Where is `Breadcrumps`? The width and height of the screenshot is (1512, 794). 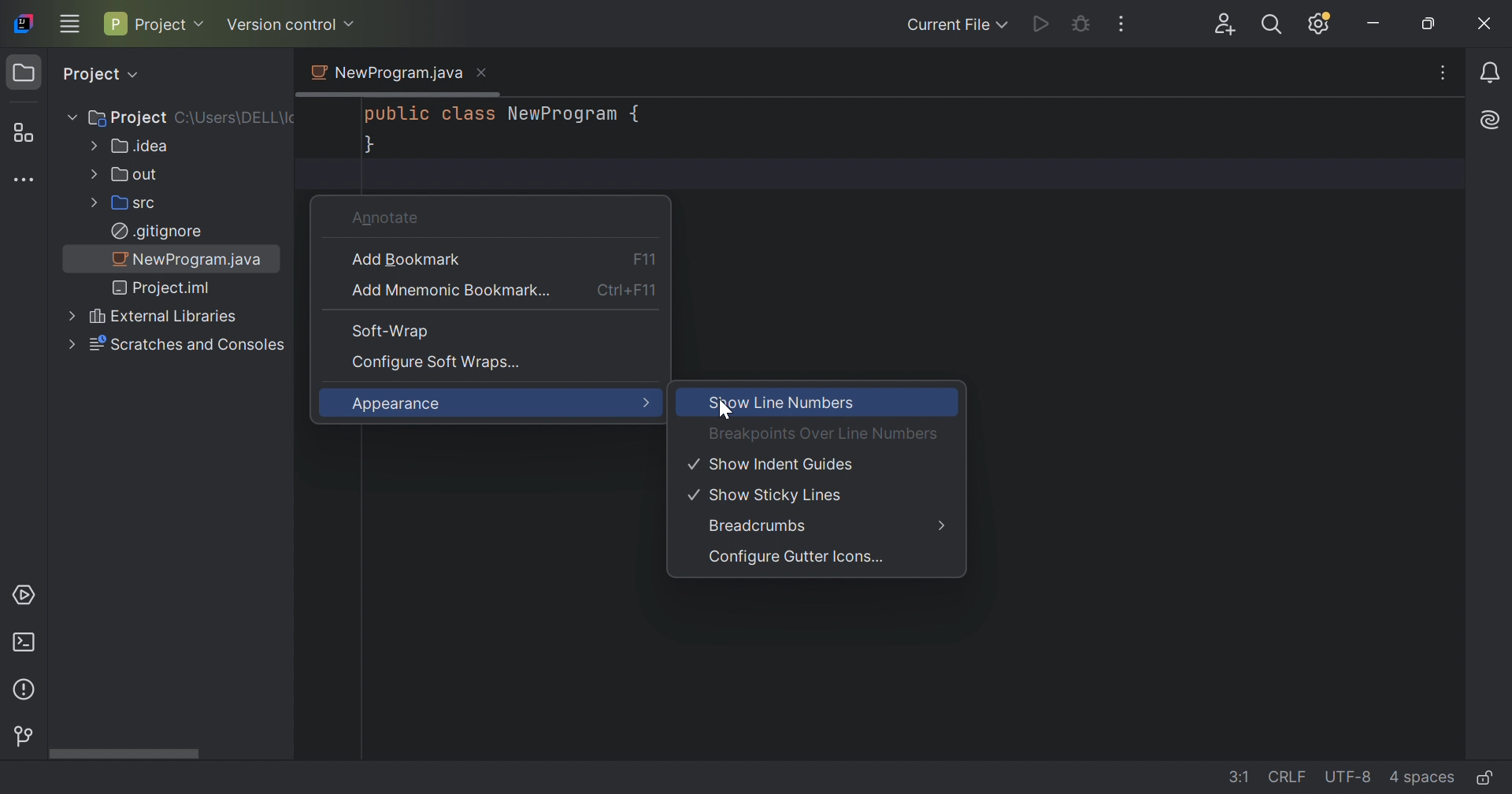
Breadcrumps is located at coordinates (759, 525).